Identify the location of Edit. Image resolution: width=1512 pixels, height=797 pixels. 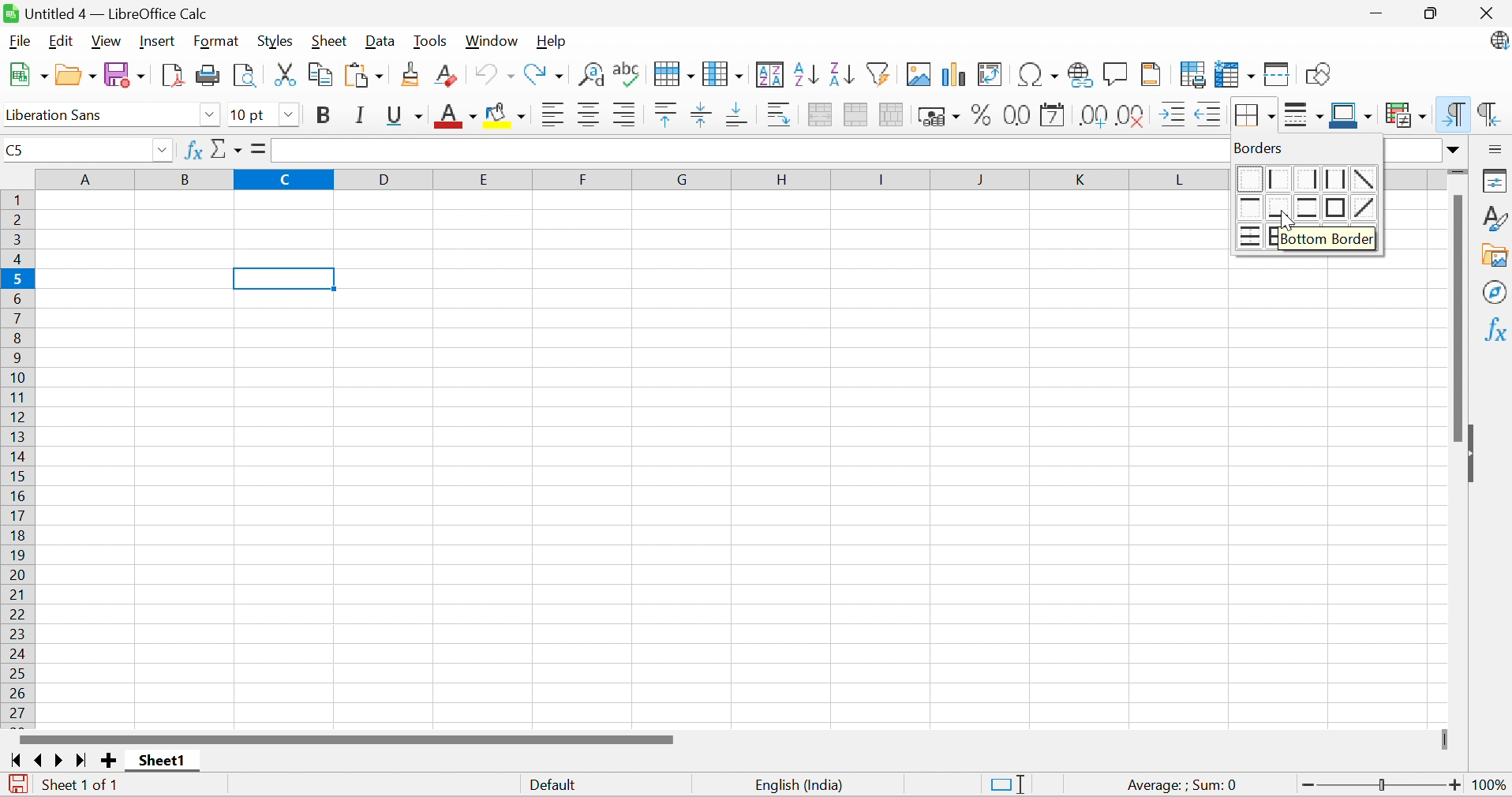
(58, 41).